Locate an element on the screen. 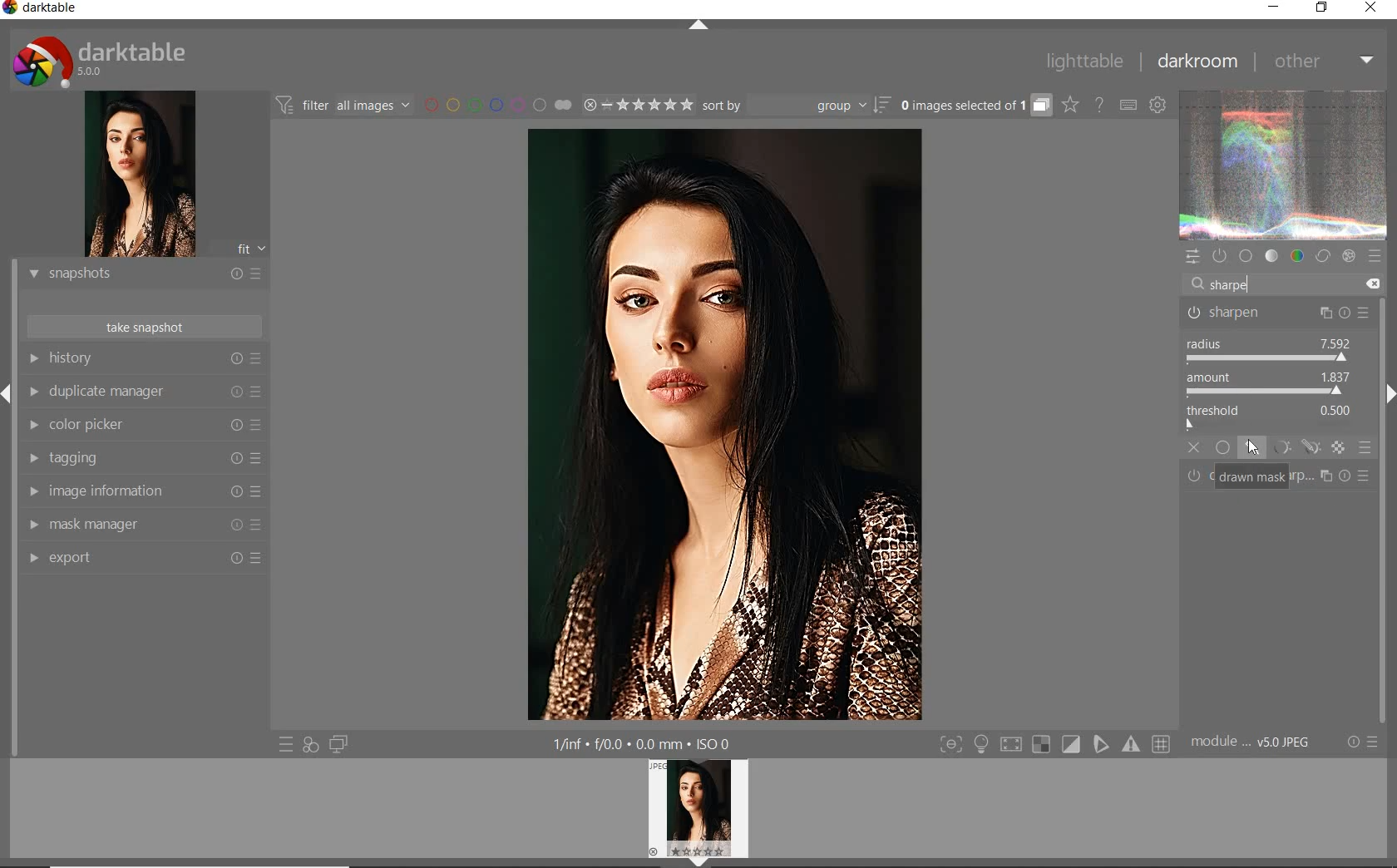 The image size is (1397, 868). DELETE is located at coordinates (1373, 284).